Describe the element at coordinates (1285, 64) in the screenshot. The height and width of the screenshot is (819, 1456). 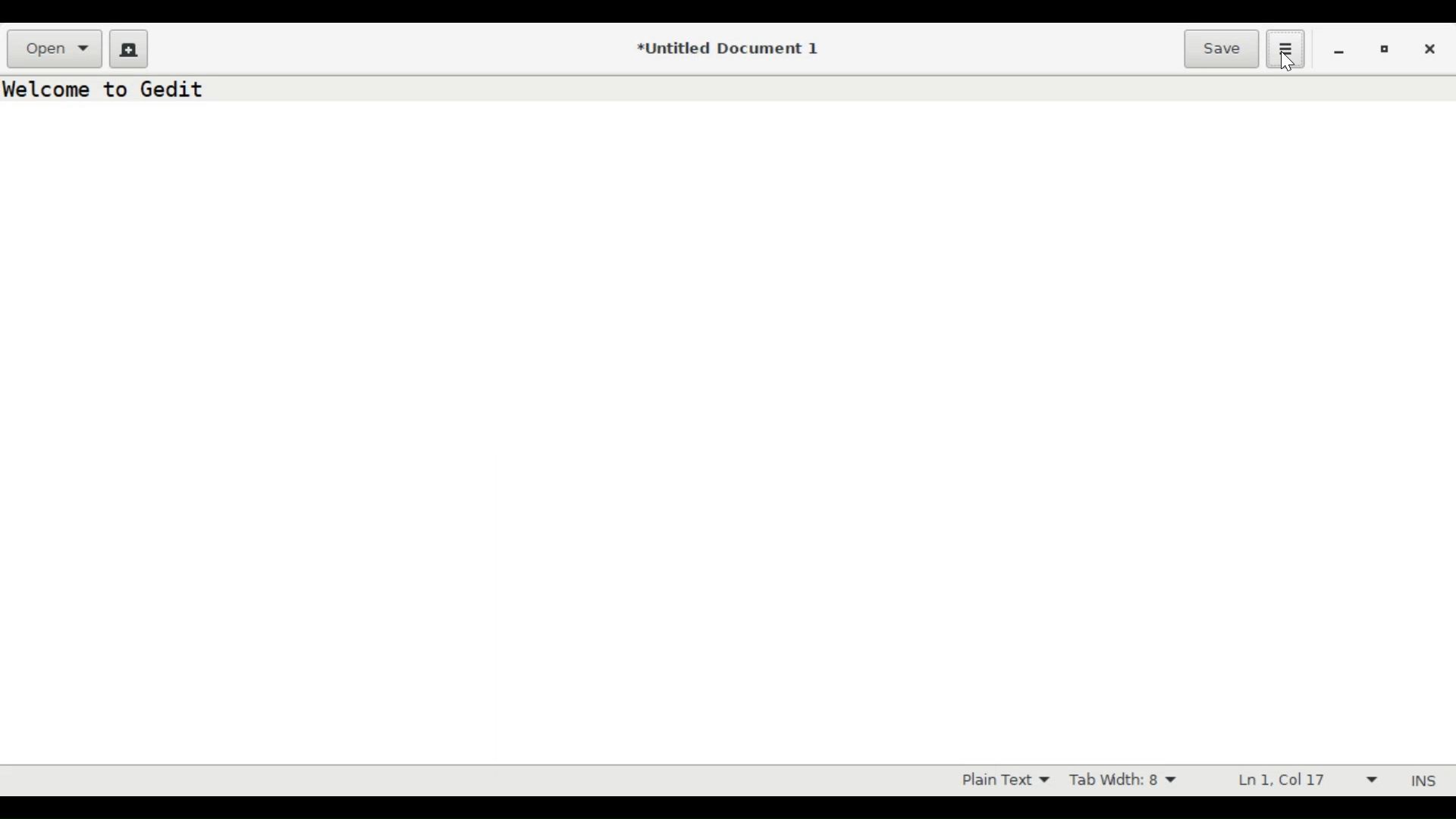
I see `cursor` at that location.